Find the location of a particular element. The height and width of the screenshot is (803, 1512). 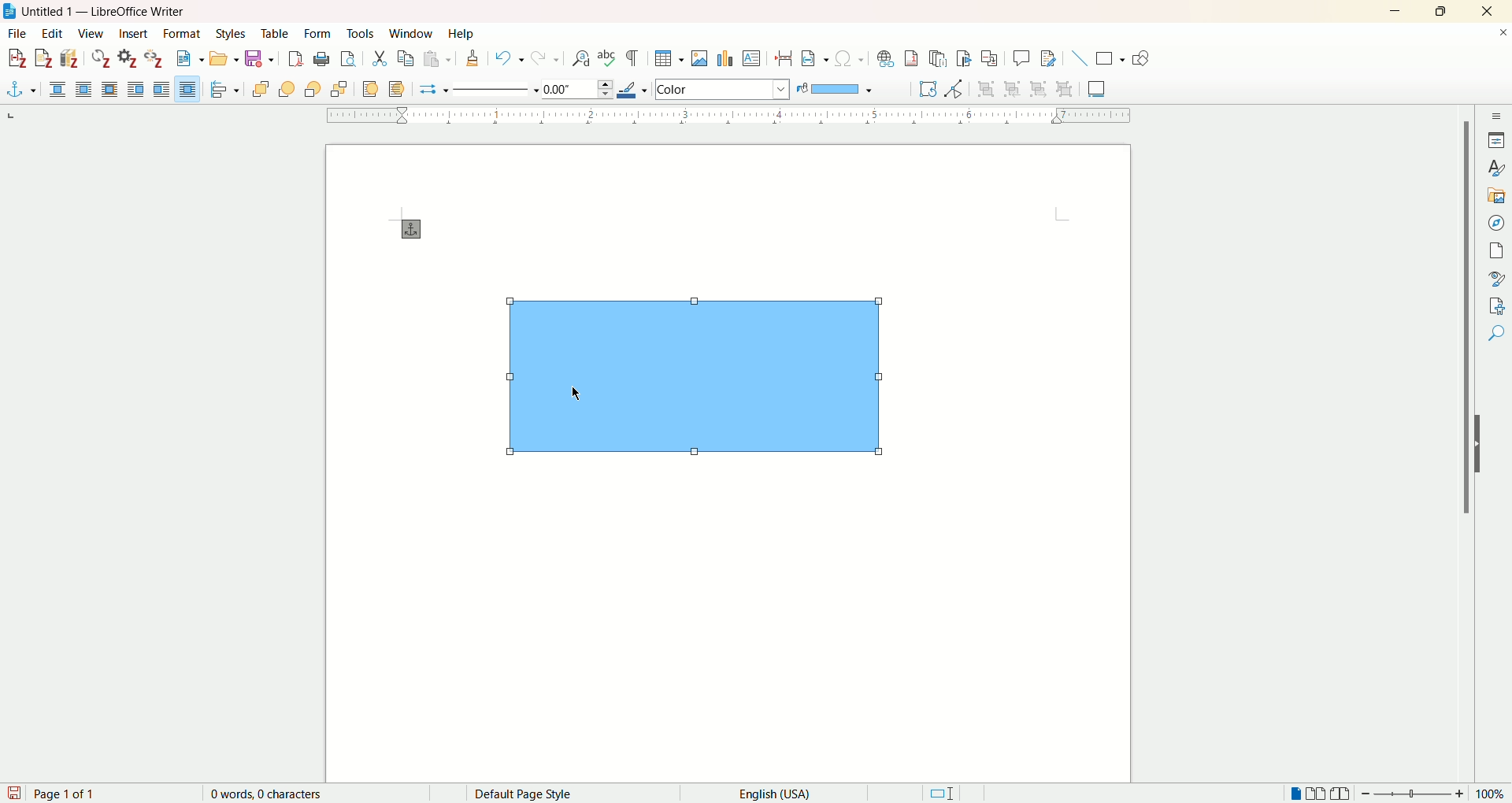

after is located at coordinates (163, 90).